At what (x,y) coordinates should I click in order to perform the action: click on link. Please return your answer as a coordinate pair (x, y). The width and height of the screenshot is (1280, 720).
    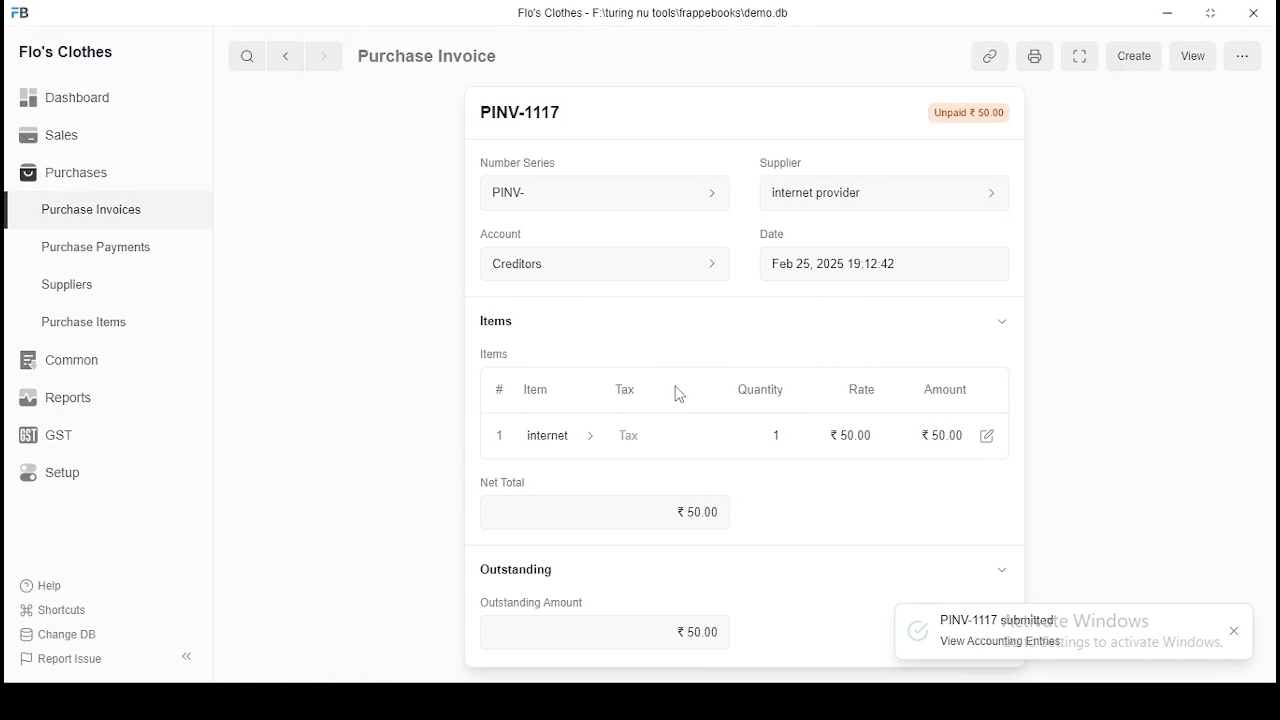
    Looking at the image, I should click on (993, 58).